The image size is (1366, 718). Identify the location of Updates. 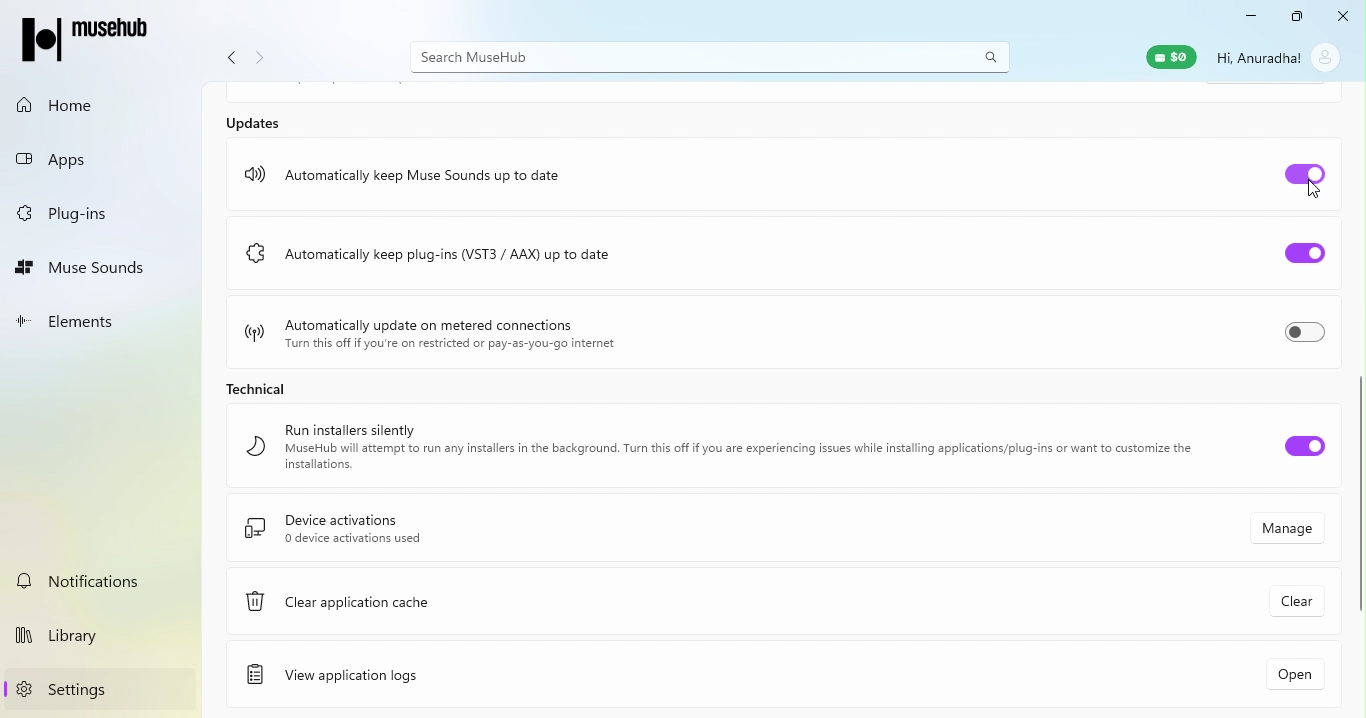
(257, 122).